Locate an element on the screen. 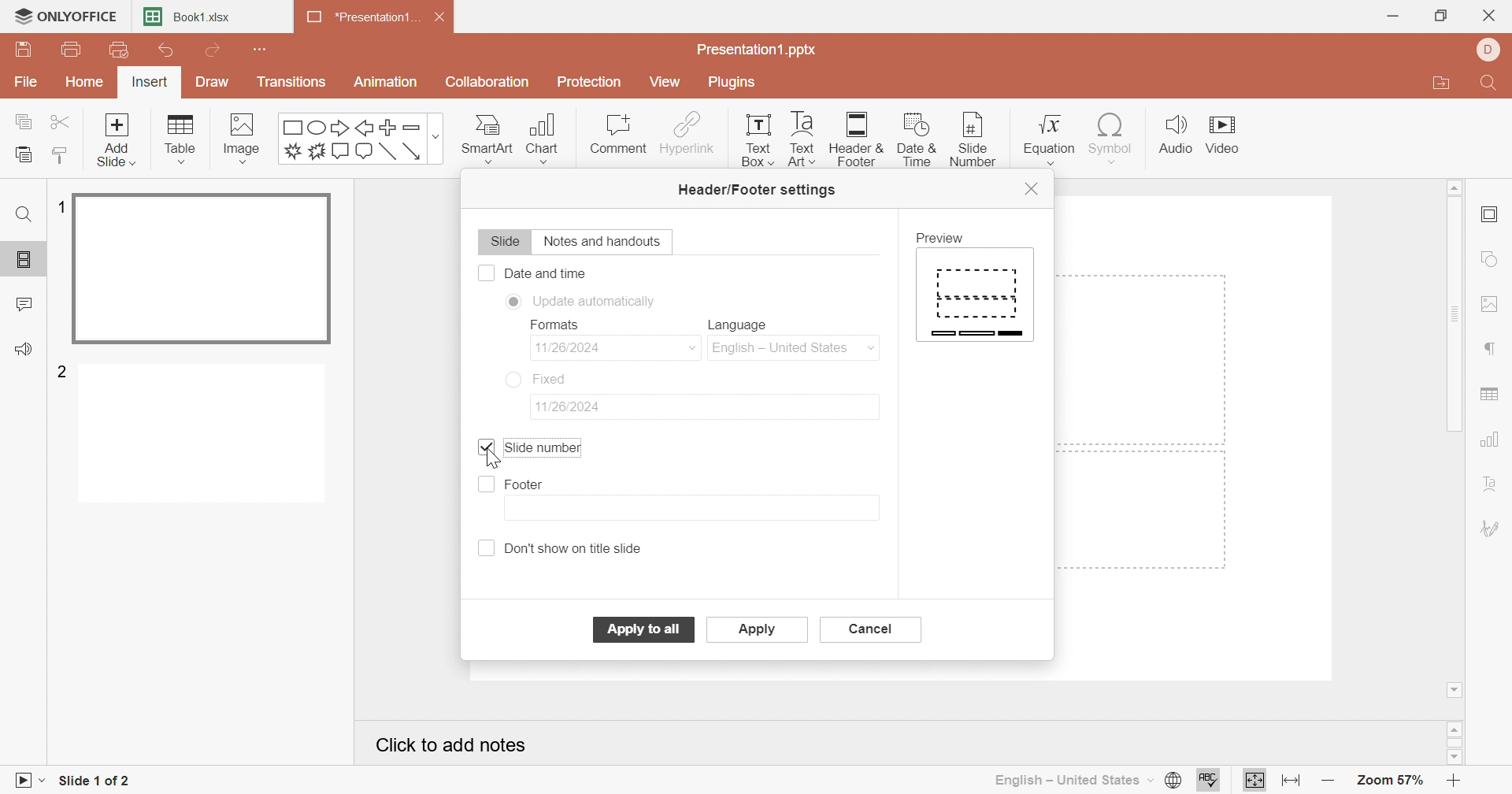 The height and width of the screenshot is (794, 1512). Fit to width is located at coordinates (1292, 781).